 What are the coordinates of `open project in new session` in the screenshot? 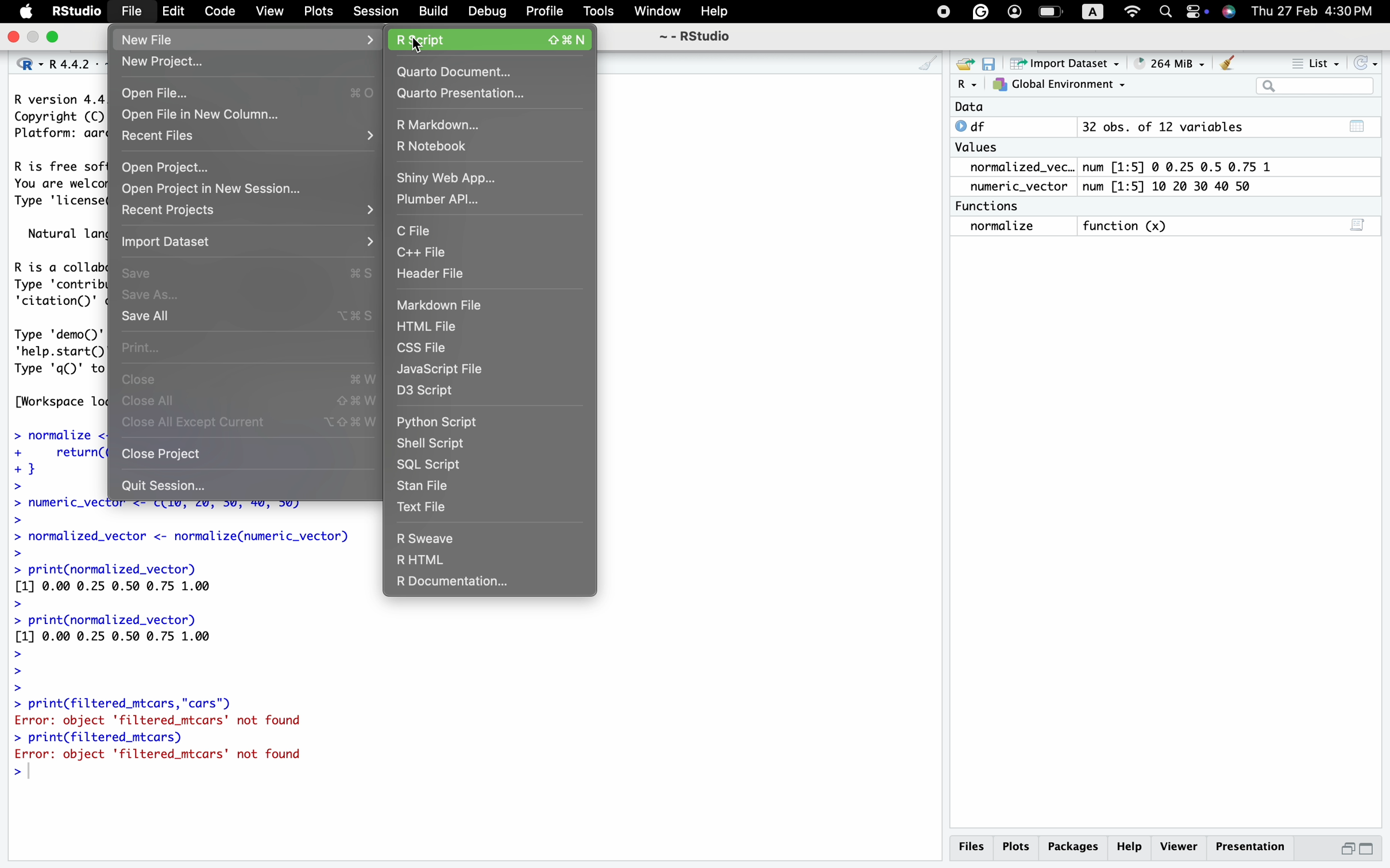 It's located at (248, 188).